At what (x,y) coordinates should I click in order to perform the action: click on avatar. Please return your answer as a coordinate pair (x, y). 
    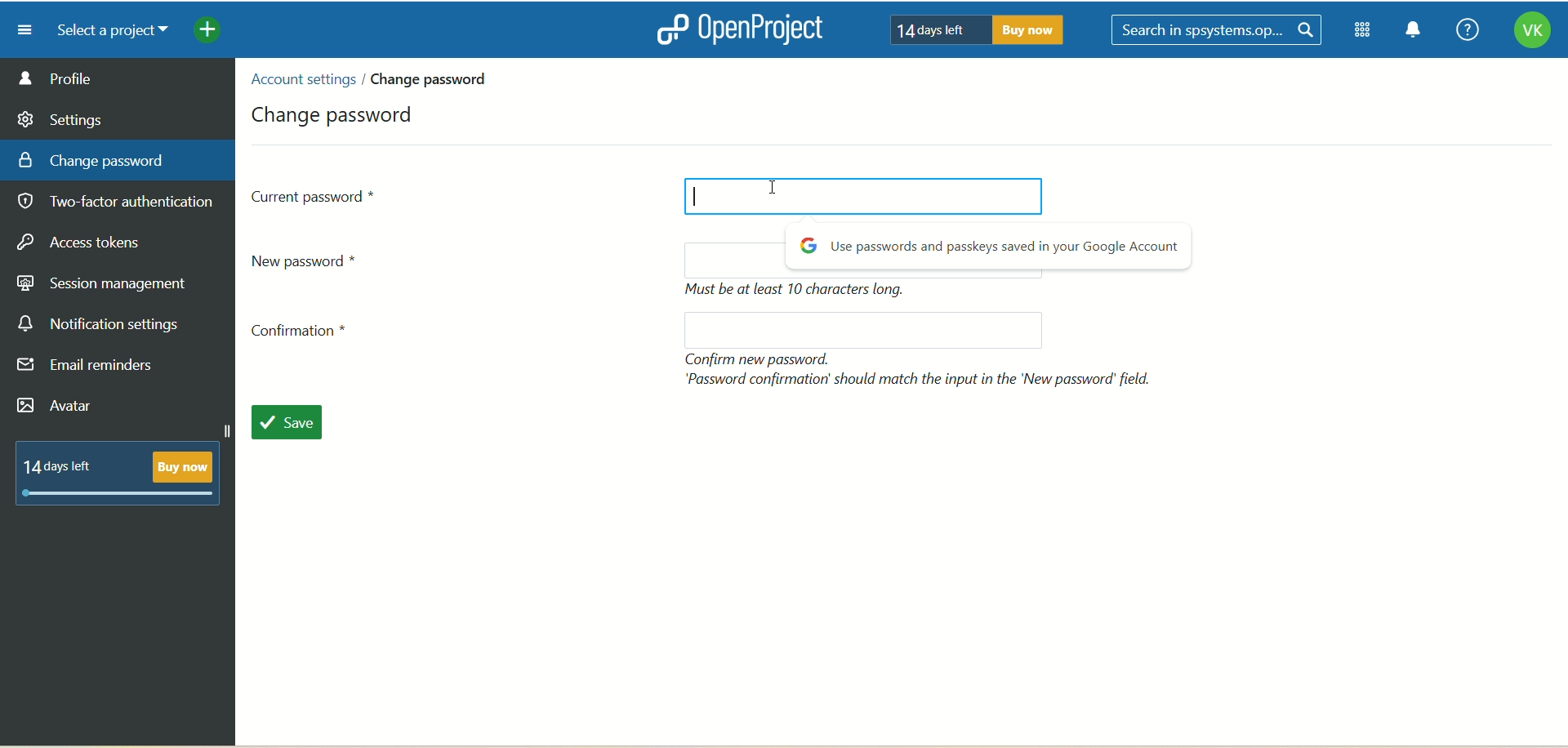
    Looking at the image, I should click on (58, 407).